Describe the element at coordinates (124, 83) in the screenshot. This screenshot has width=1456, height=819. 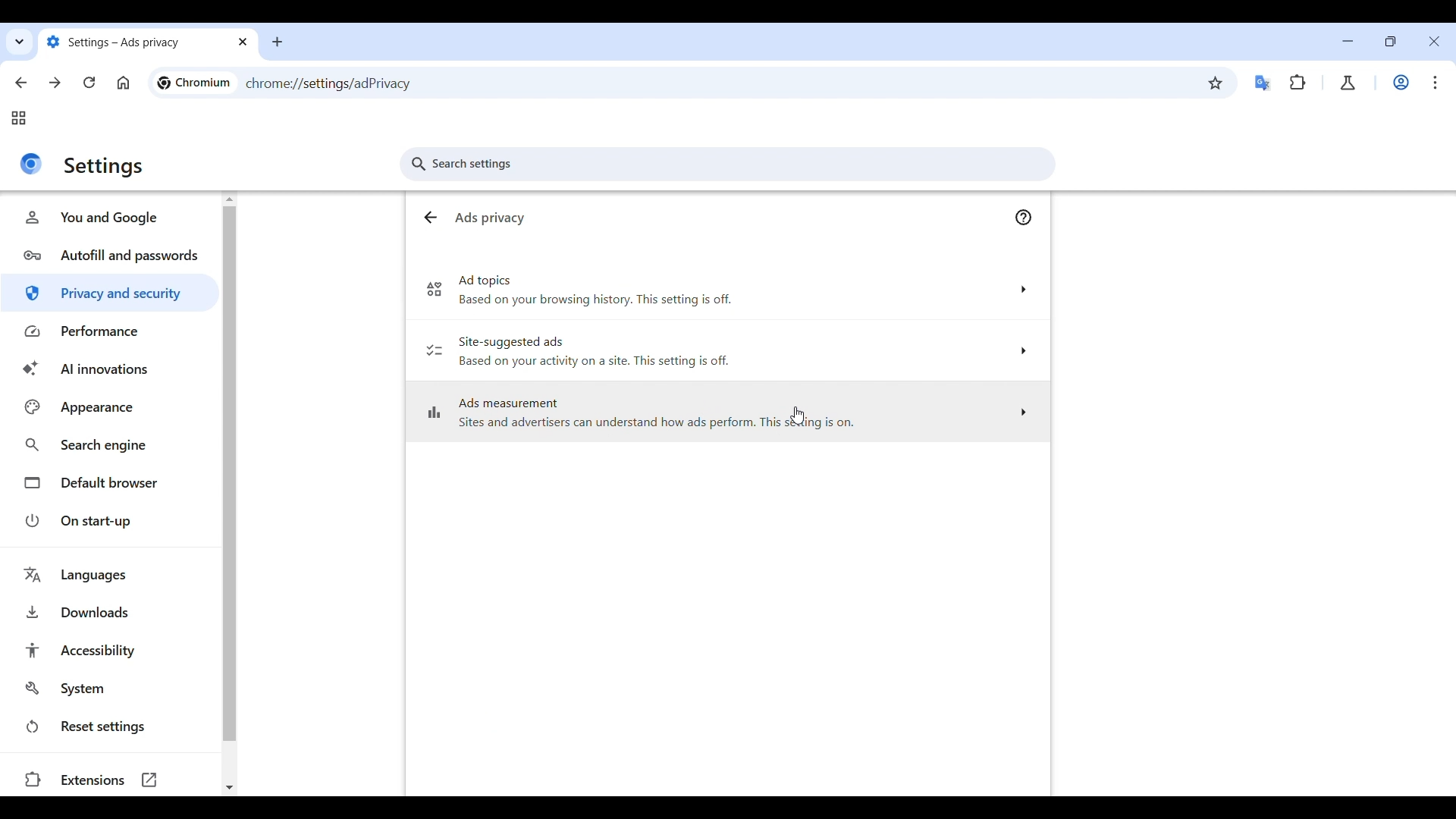
I see `Go to homepage` at that location.